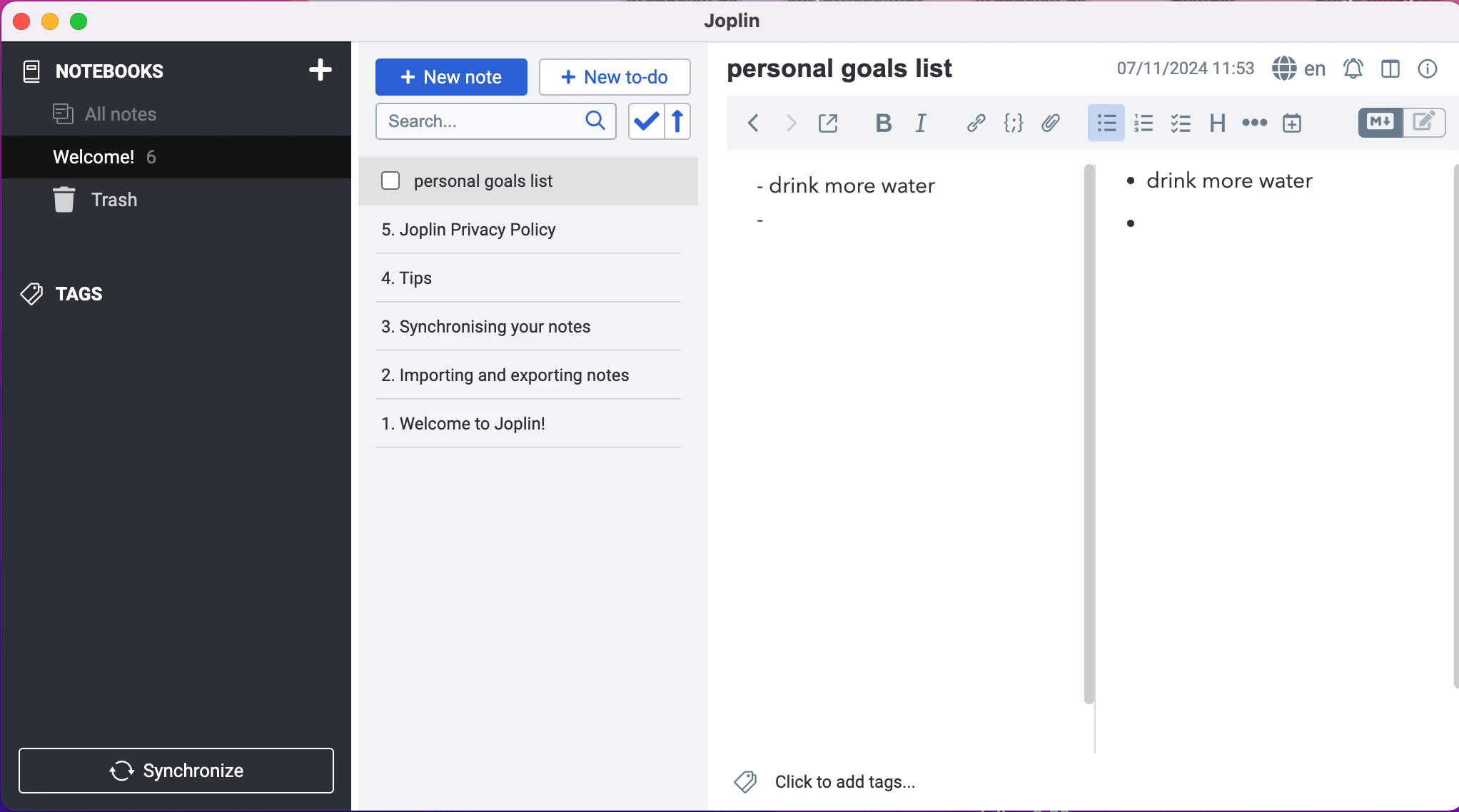 This screenshot has height=812, width=1459. Describe the element at coordinates (644, 122) in the screenshot. I see `toggle sort order field` at that location.